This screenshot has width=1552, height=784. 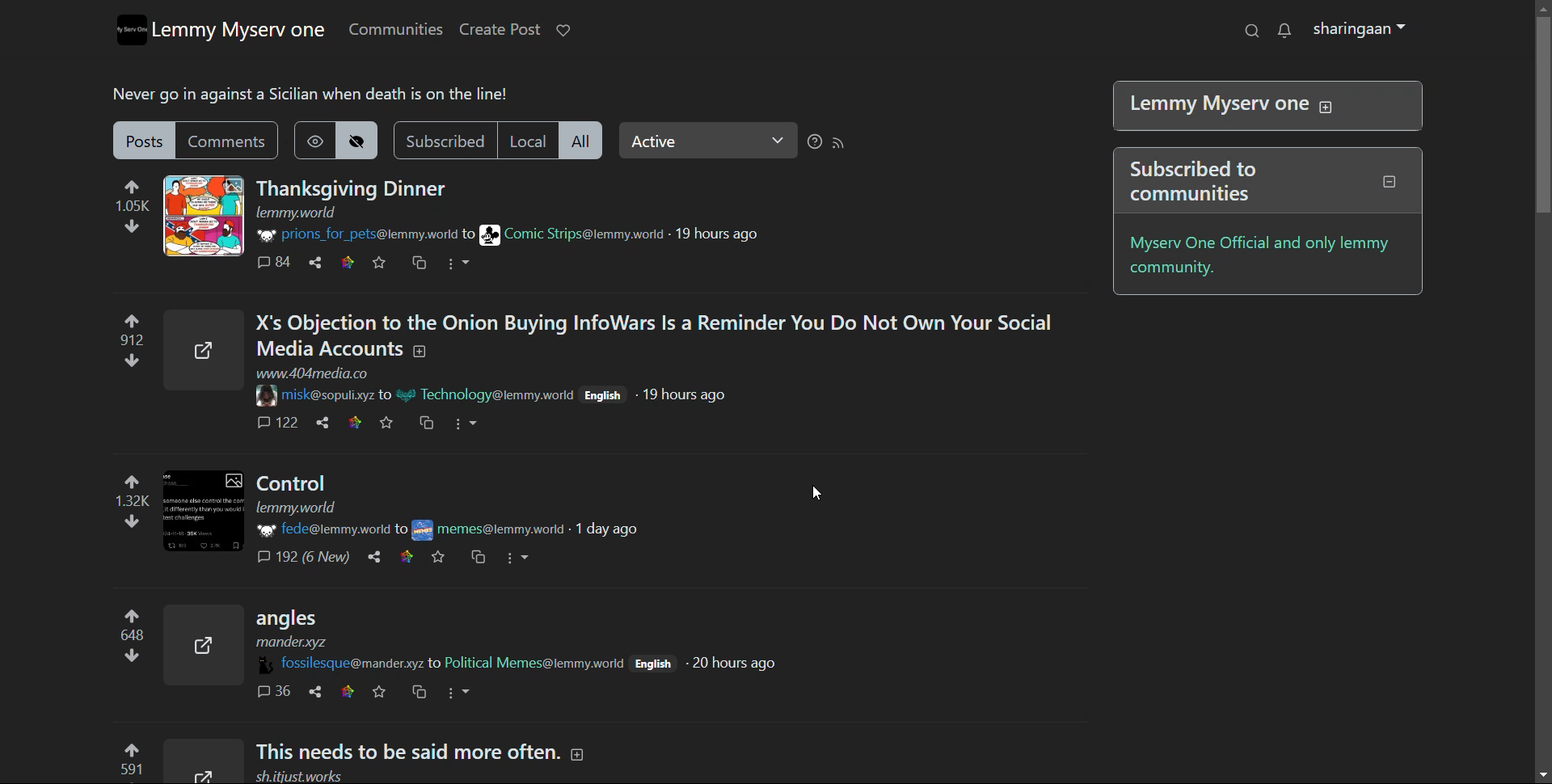 I want to click on sorting help, so click(x=815, y=142).